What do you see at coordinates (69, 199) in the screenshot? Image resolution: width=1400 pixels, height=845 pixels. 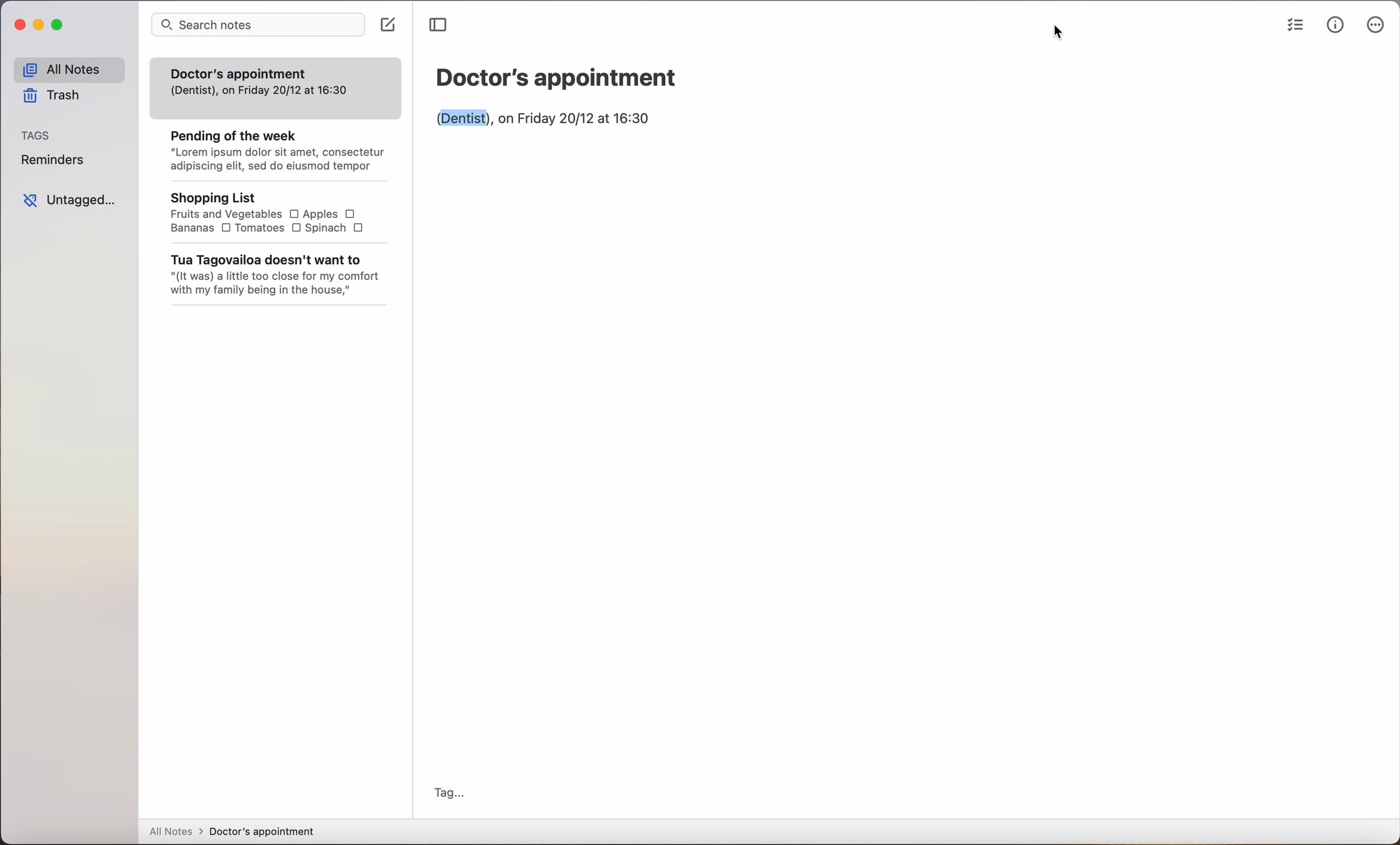 I see `untagged` at bounding box center [69, 199].